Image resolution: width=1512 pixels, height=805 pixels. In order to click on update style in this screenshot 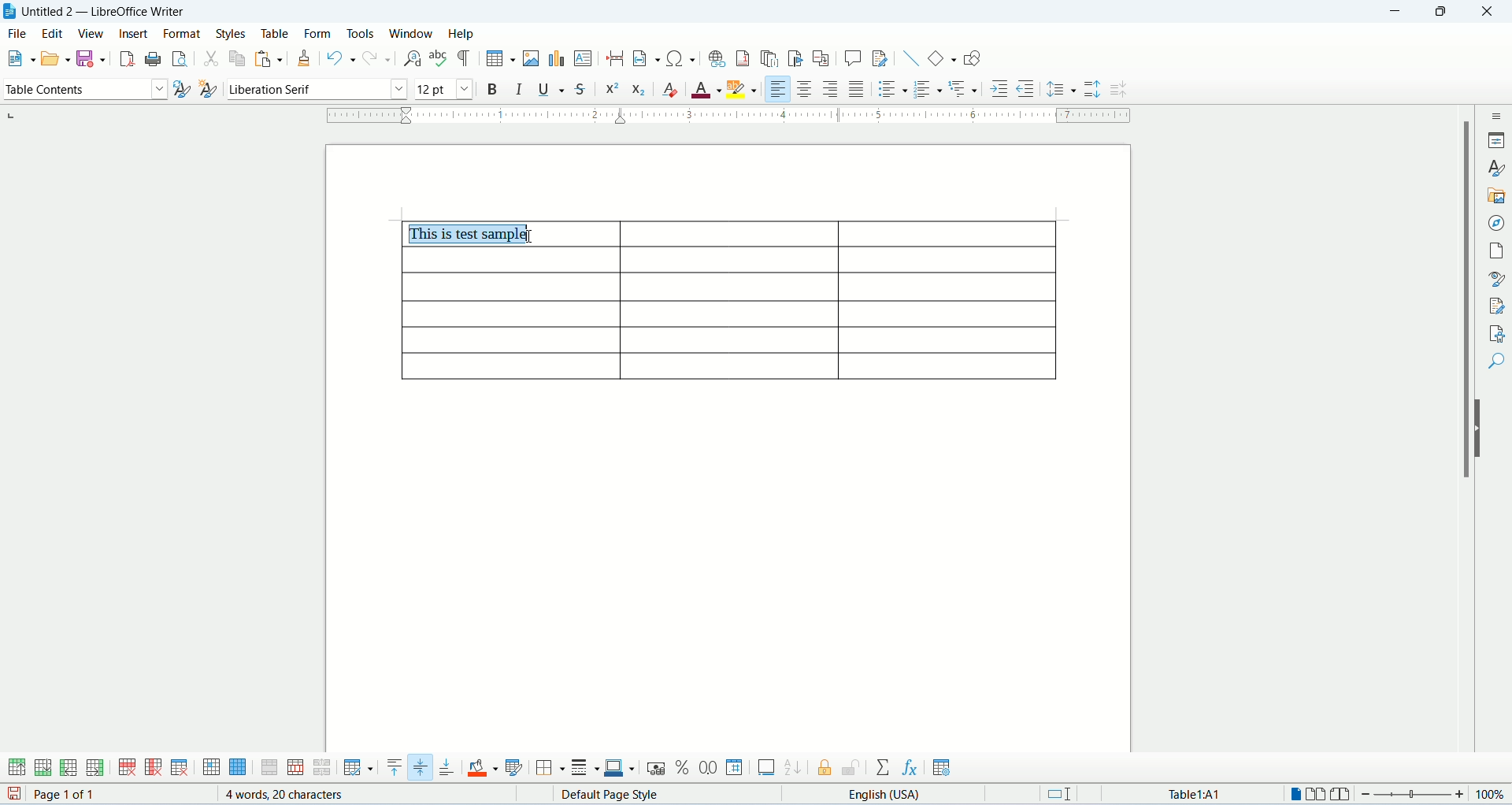, I will do `click(181, 91)`.